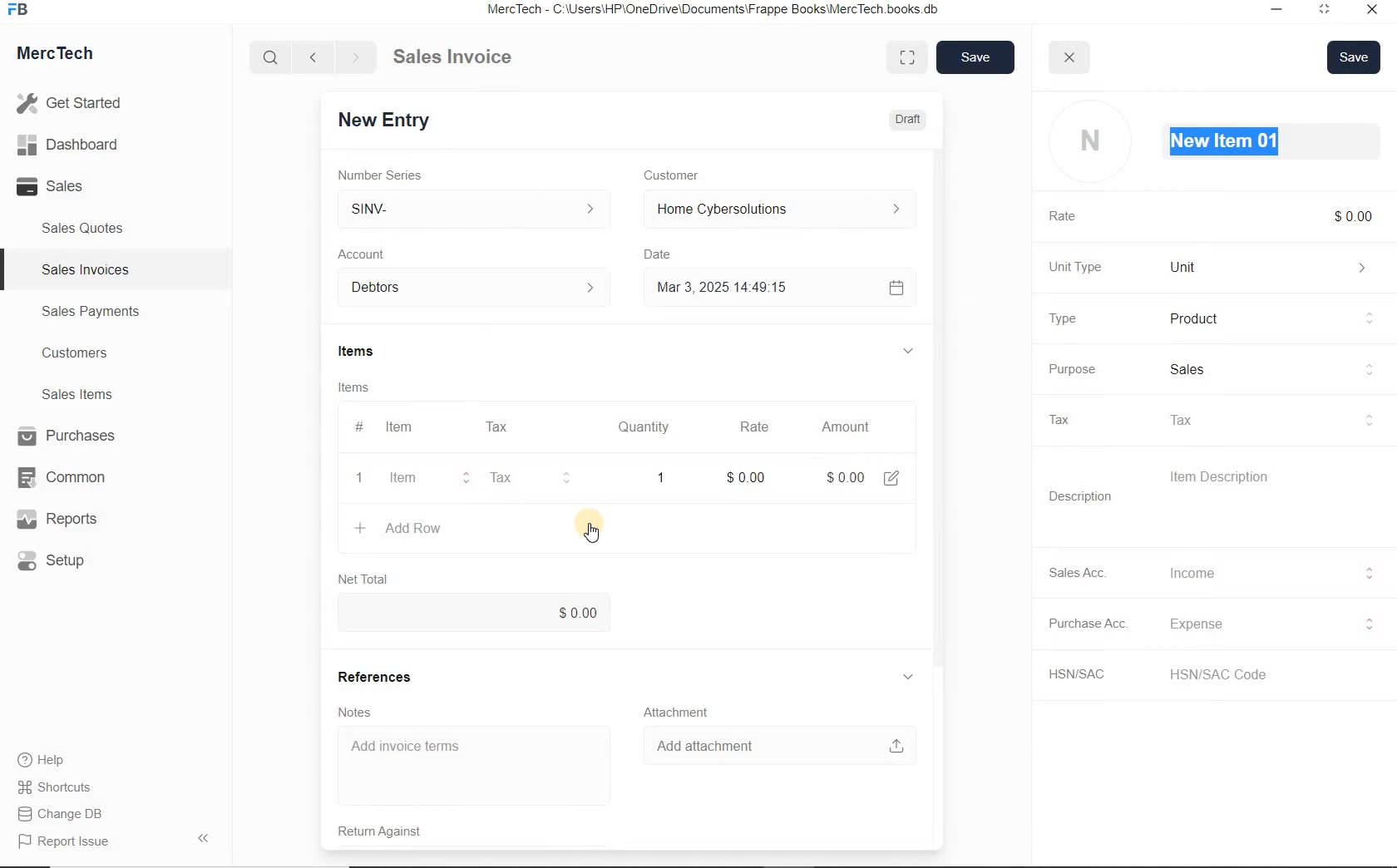 The width and height of the screenshot is (1397, 868). What do you see at coordinates (75, 186) in the screenshot?
I see `Sales` at bounding box center [75, 186].